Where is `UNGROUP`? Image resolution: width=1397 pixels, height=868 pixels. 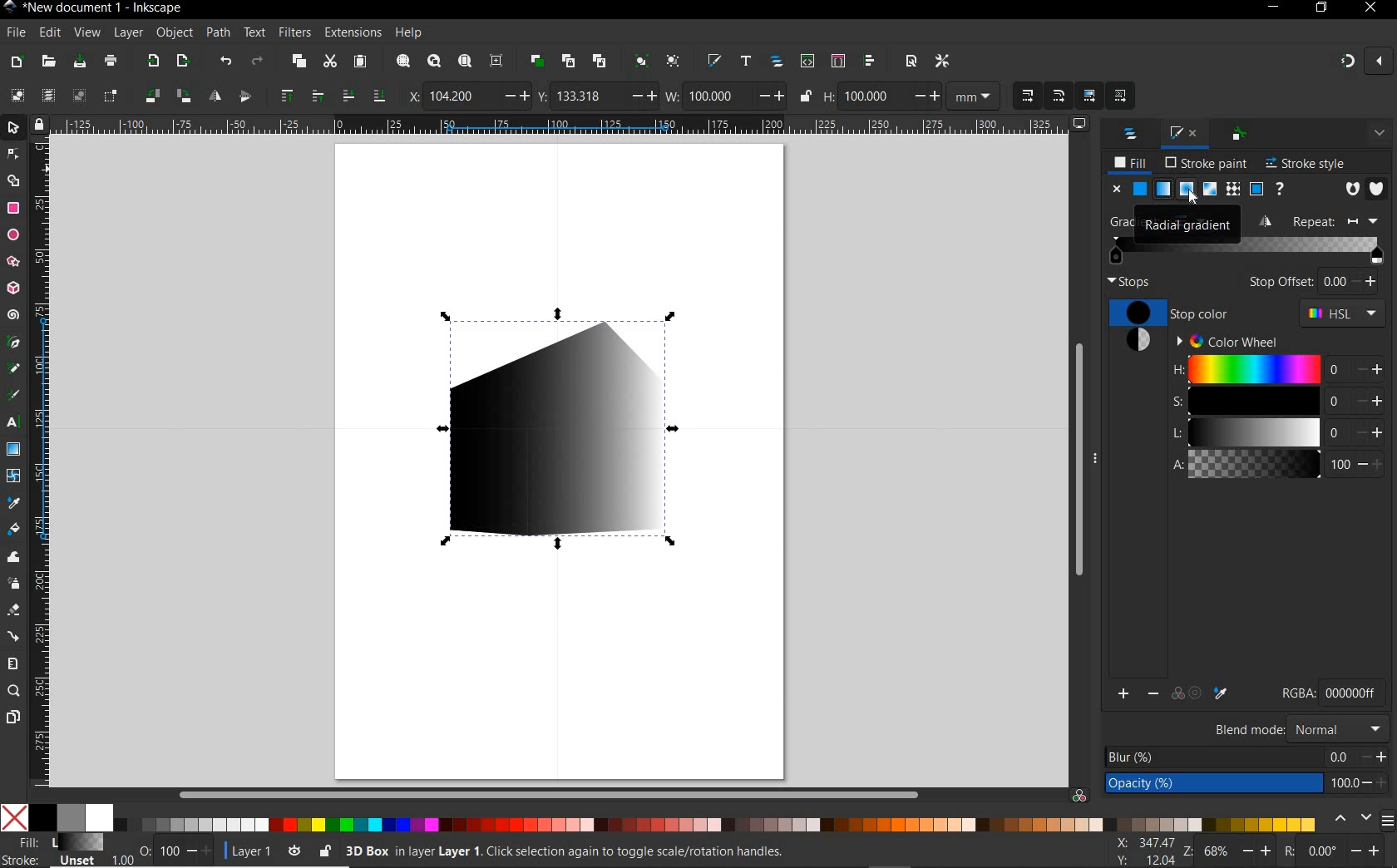 UNGROUP is located at coordinates (673, 61).